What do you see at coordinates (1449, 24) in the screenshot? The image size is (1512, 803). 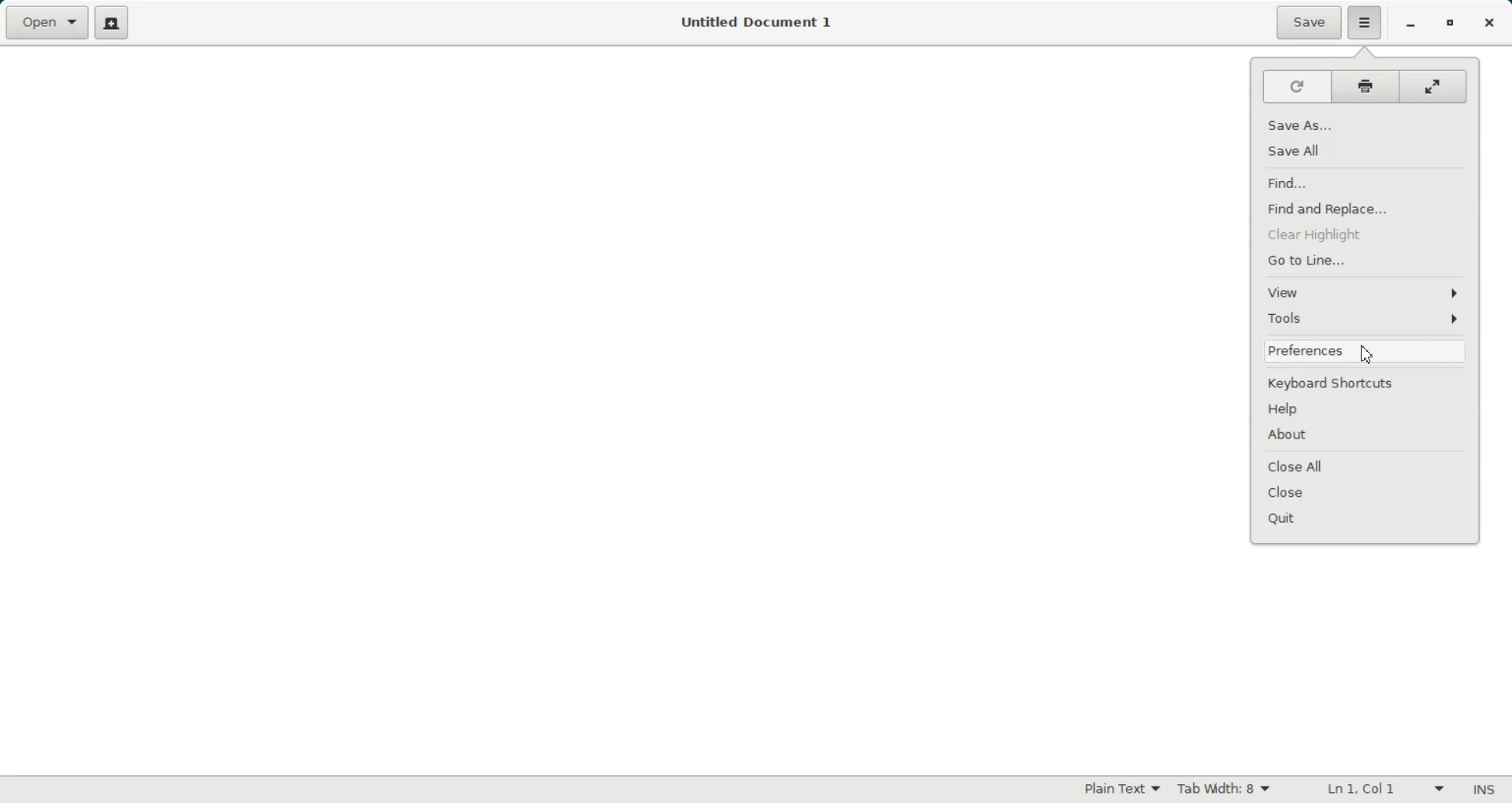 I see `Maximize` at bounding box center [1449, 24].